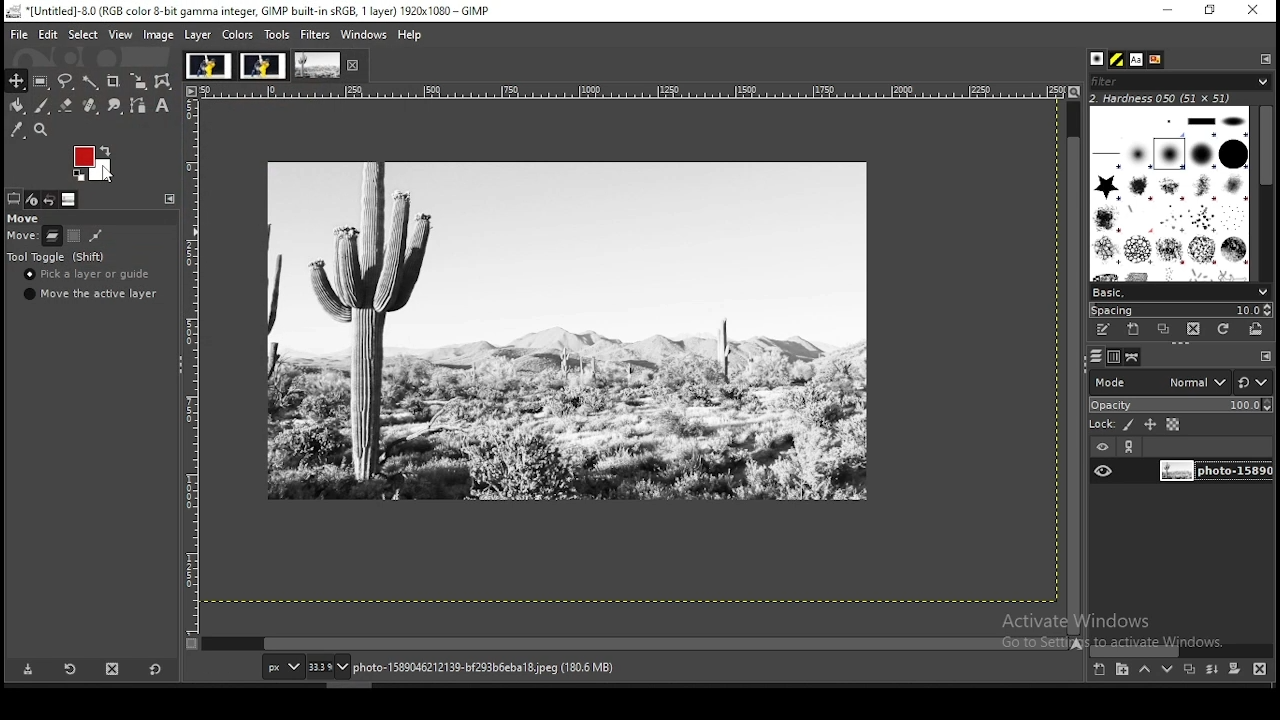 This screenshot has height=720, width=1280. What do you see at coordinates (1252, 383) in the screenshot?
I see `switch to other modes` at bounding box center [1252, 383].